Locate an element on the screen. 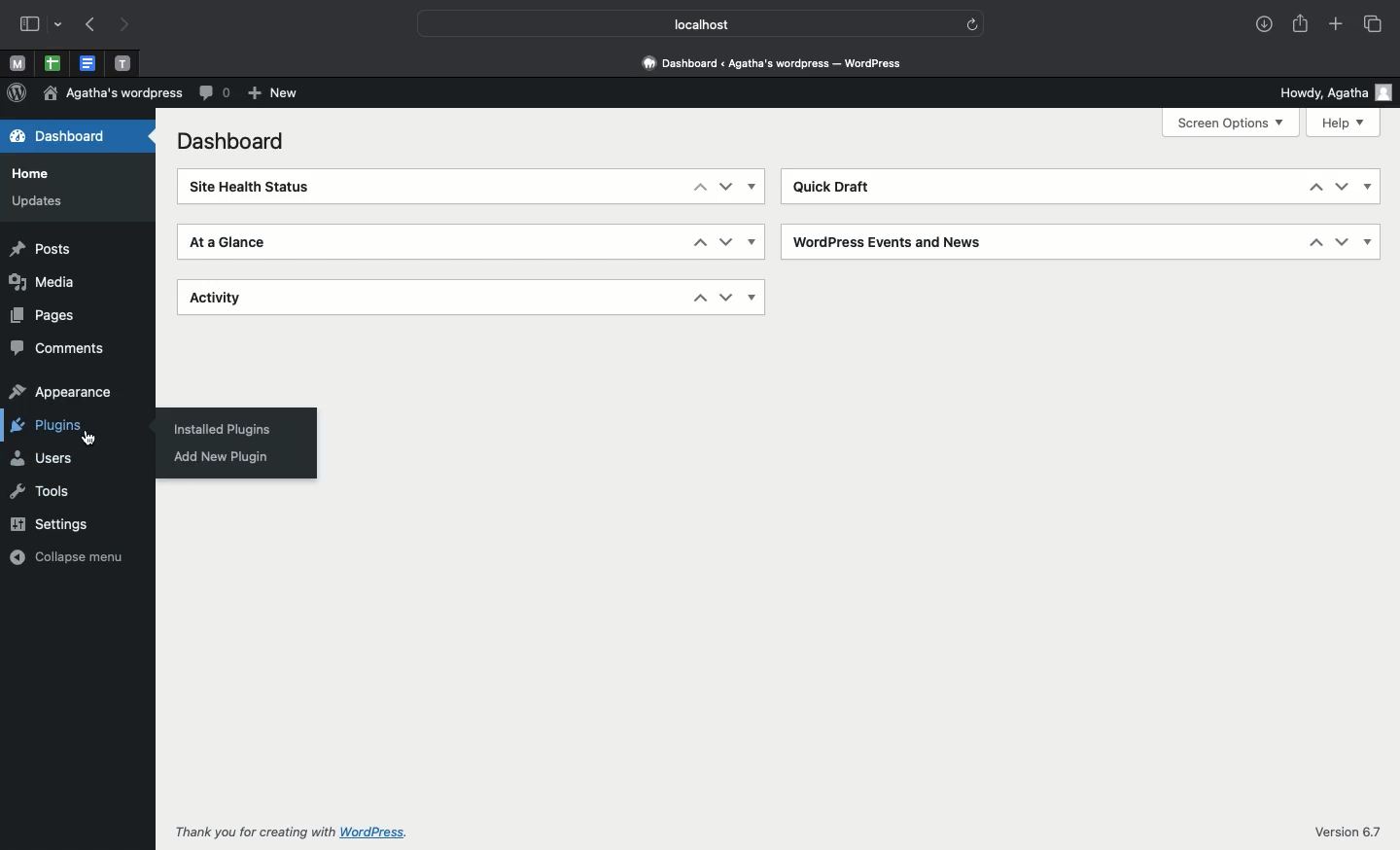  Plugins is located at coordinates (51, 426).